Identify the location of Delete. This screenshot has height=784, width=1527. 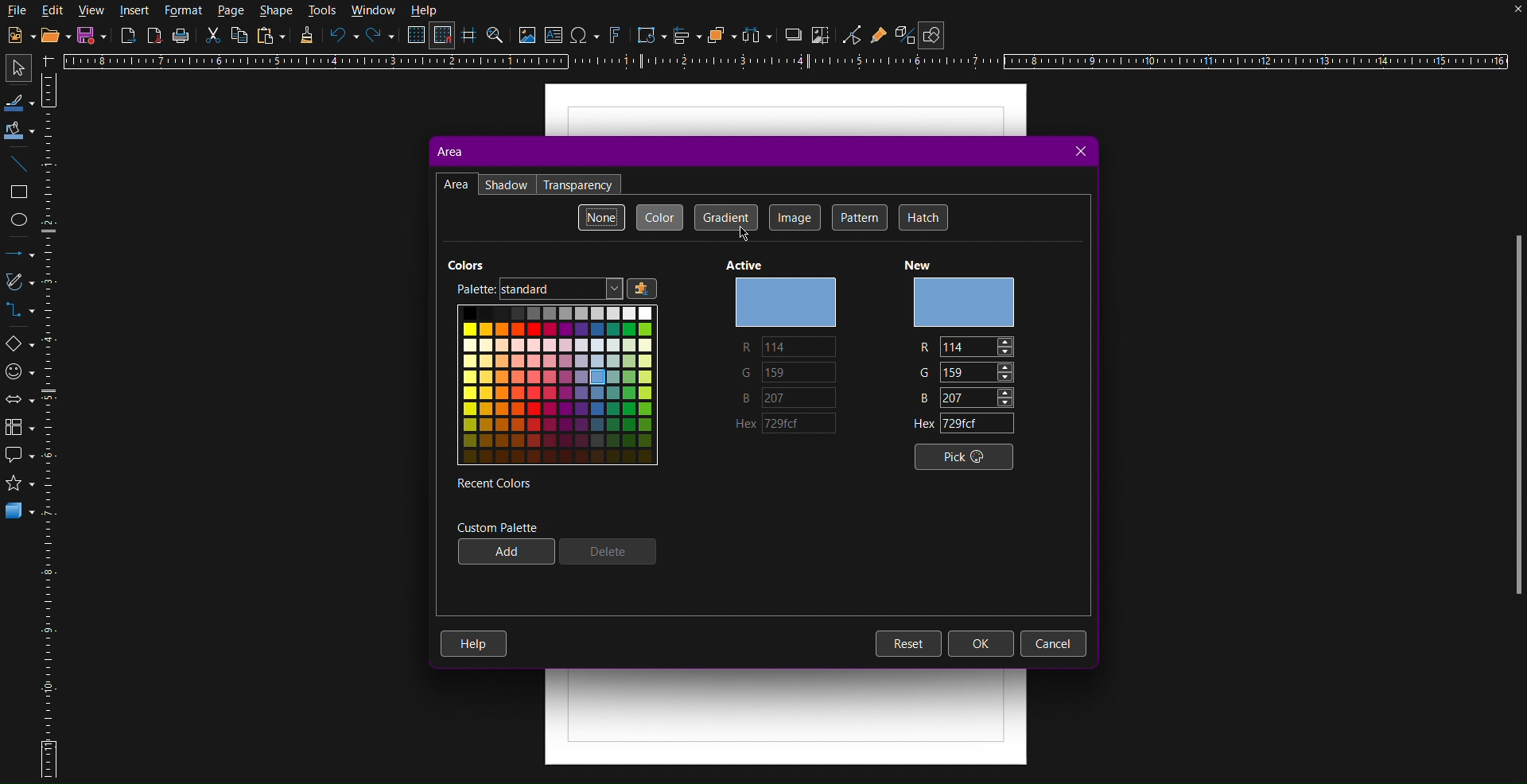
(606, 553).